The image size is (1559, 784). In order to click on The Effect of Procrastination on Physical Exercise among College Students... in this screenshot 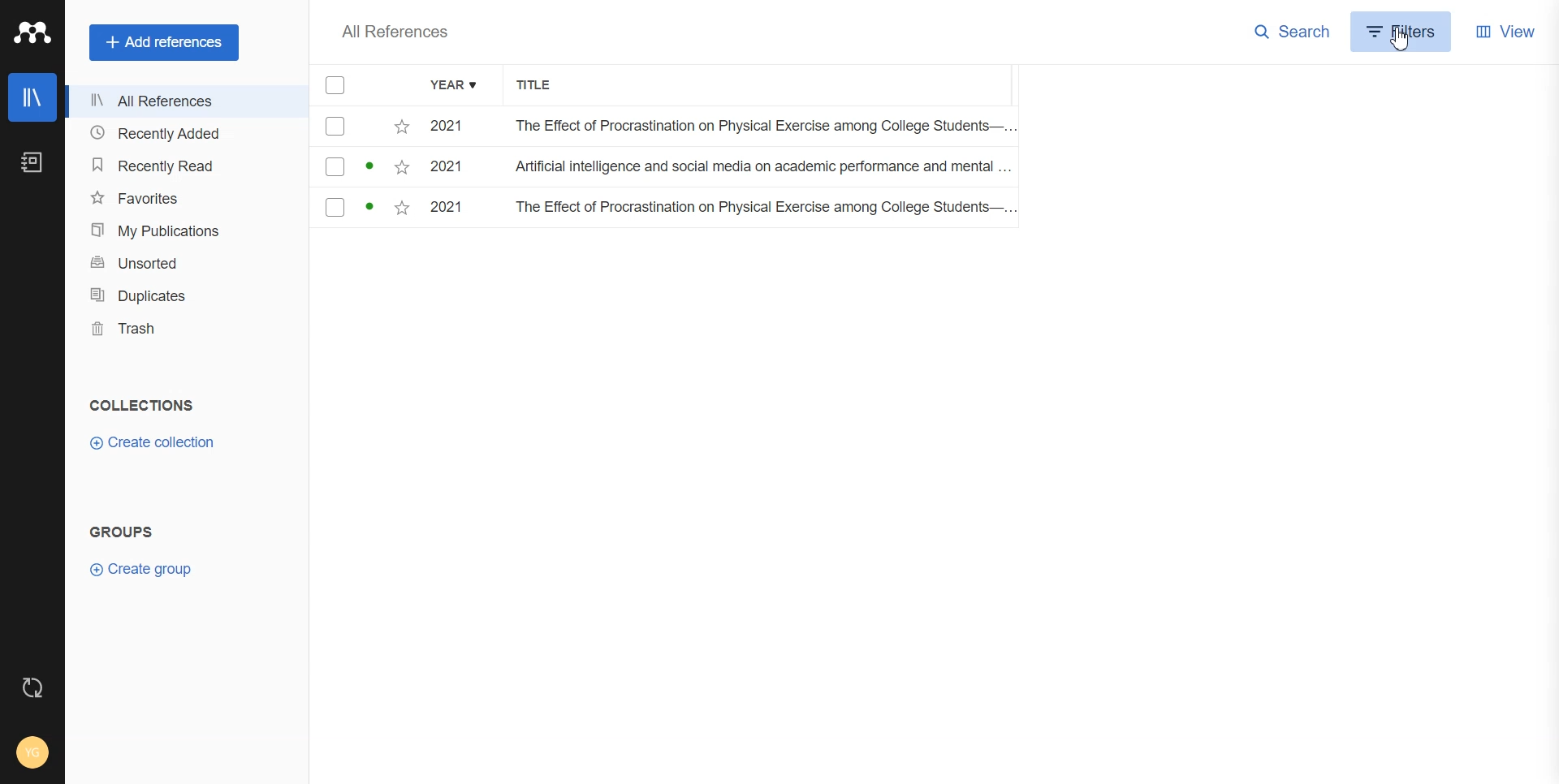, I will do `click(758, 127)`.